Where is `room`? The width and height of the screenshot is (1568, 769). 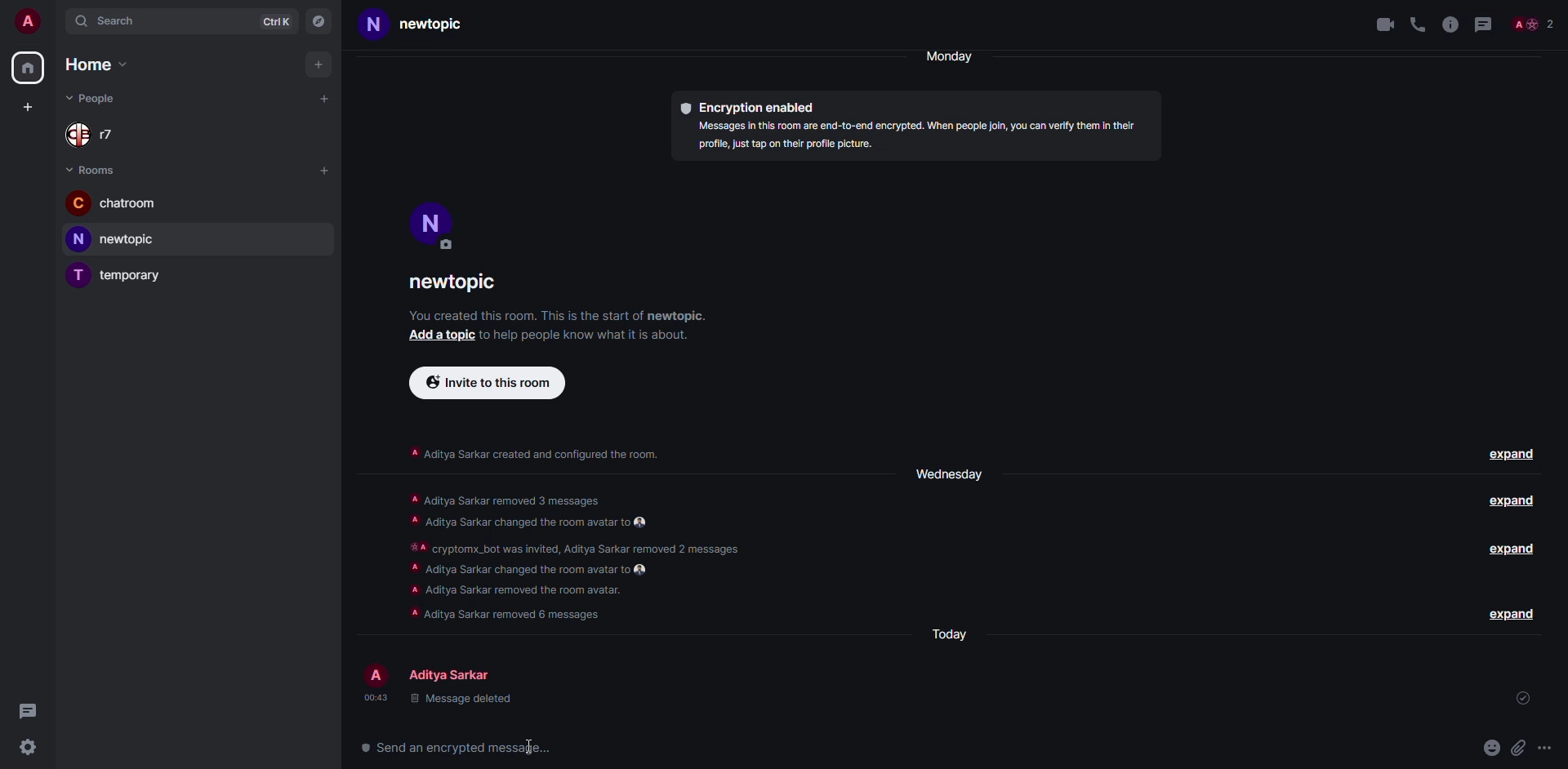 room is located at coordinates (113, 202).